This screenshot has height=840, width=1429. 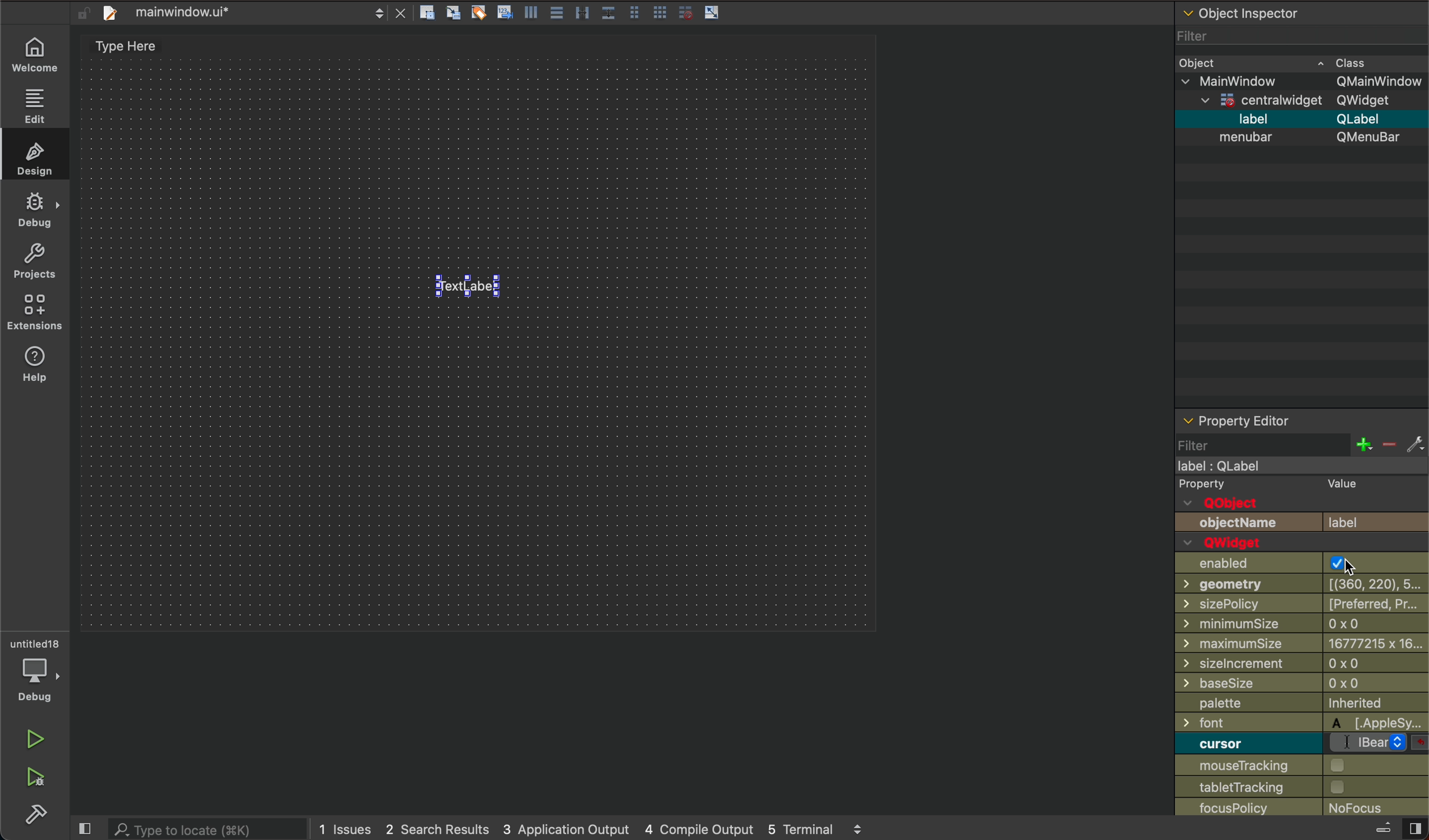 What do you see at coordinates (34, 816) in the screenshot?
I see `build` at bounding box center [34, 816].